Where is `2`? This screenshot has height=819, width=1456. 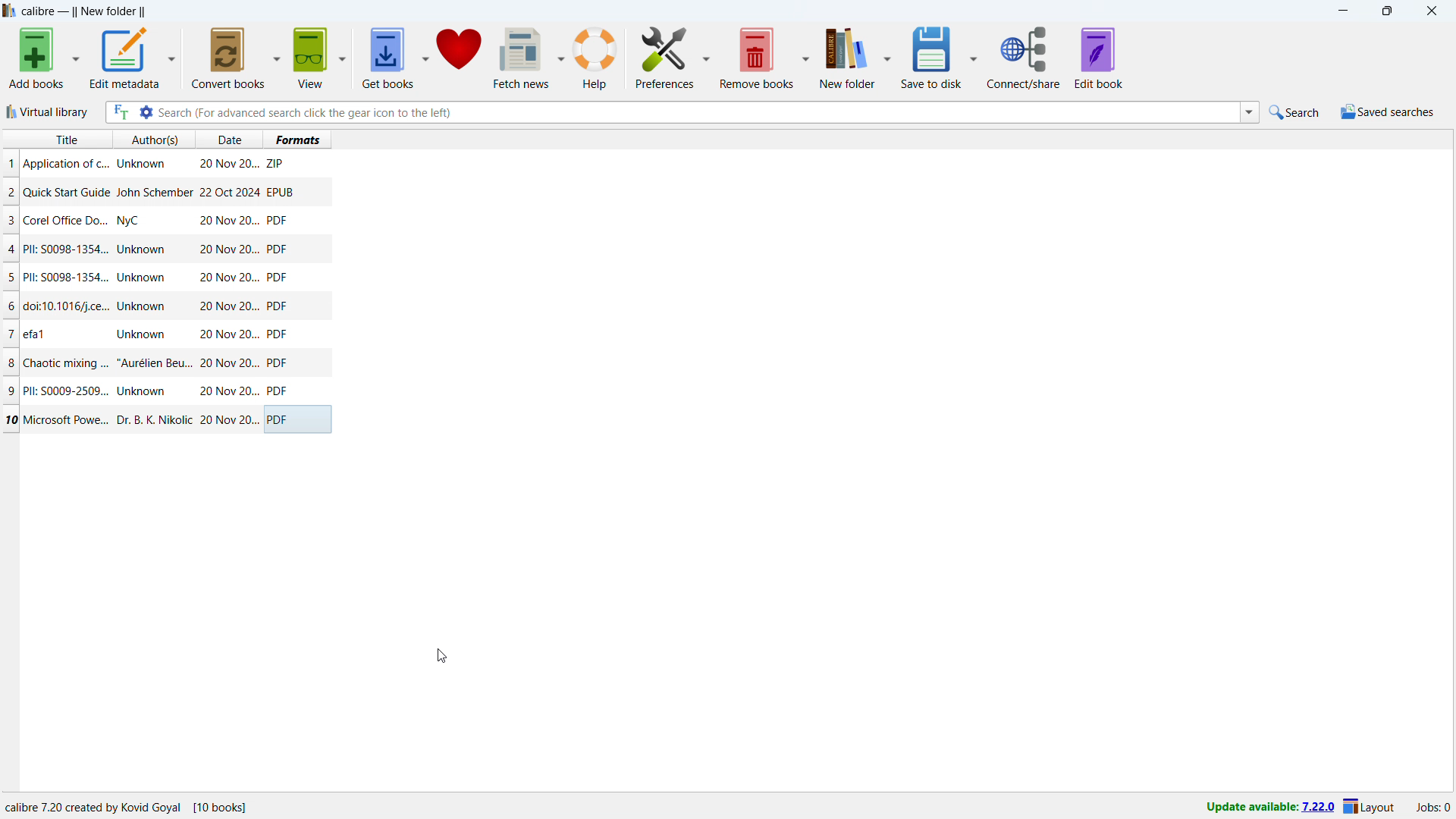 2 is located at coordinates (11, 193).